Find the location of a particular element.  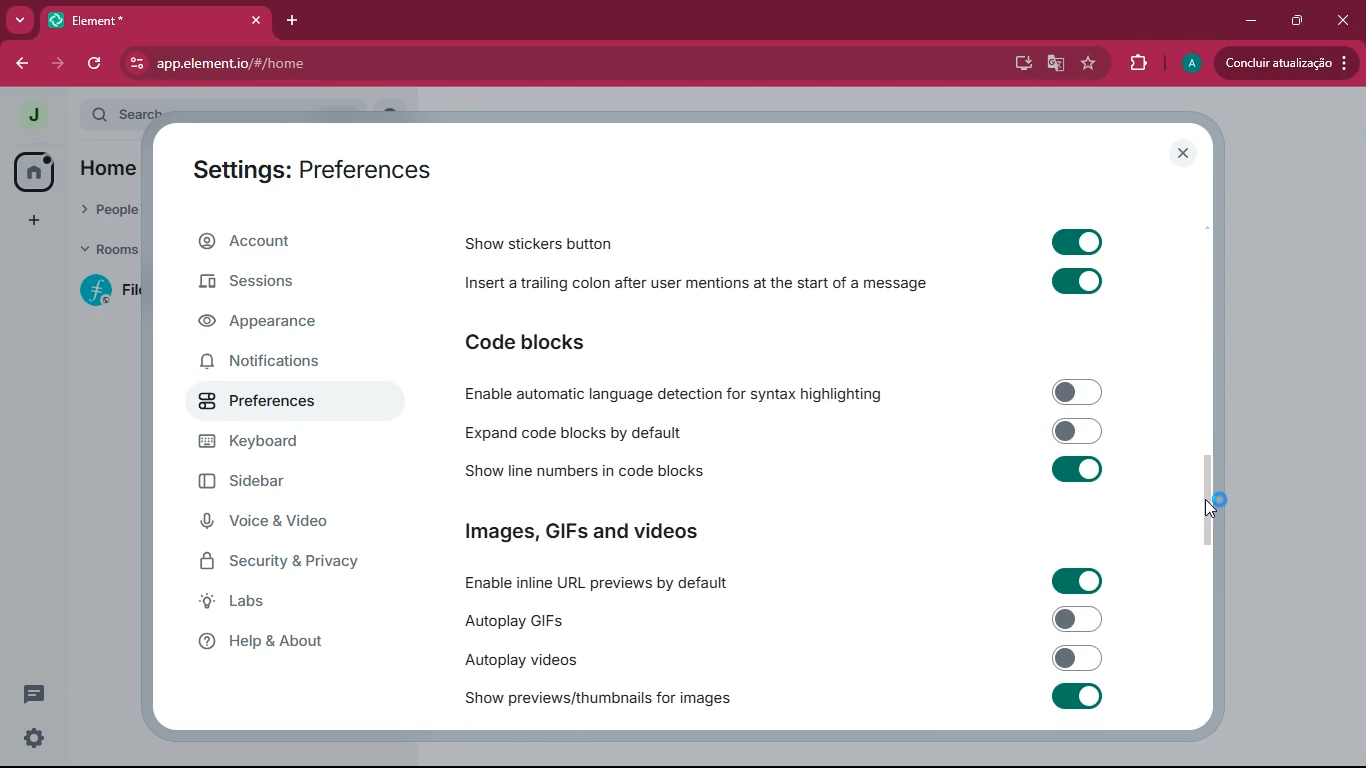

more is located at coordinates (22, 19).